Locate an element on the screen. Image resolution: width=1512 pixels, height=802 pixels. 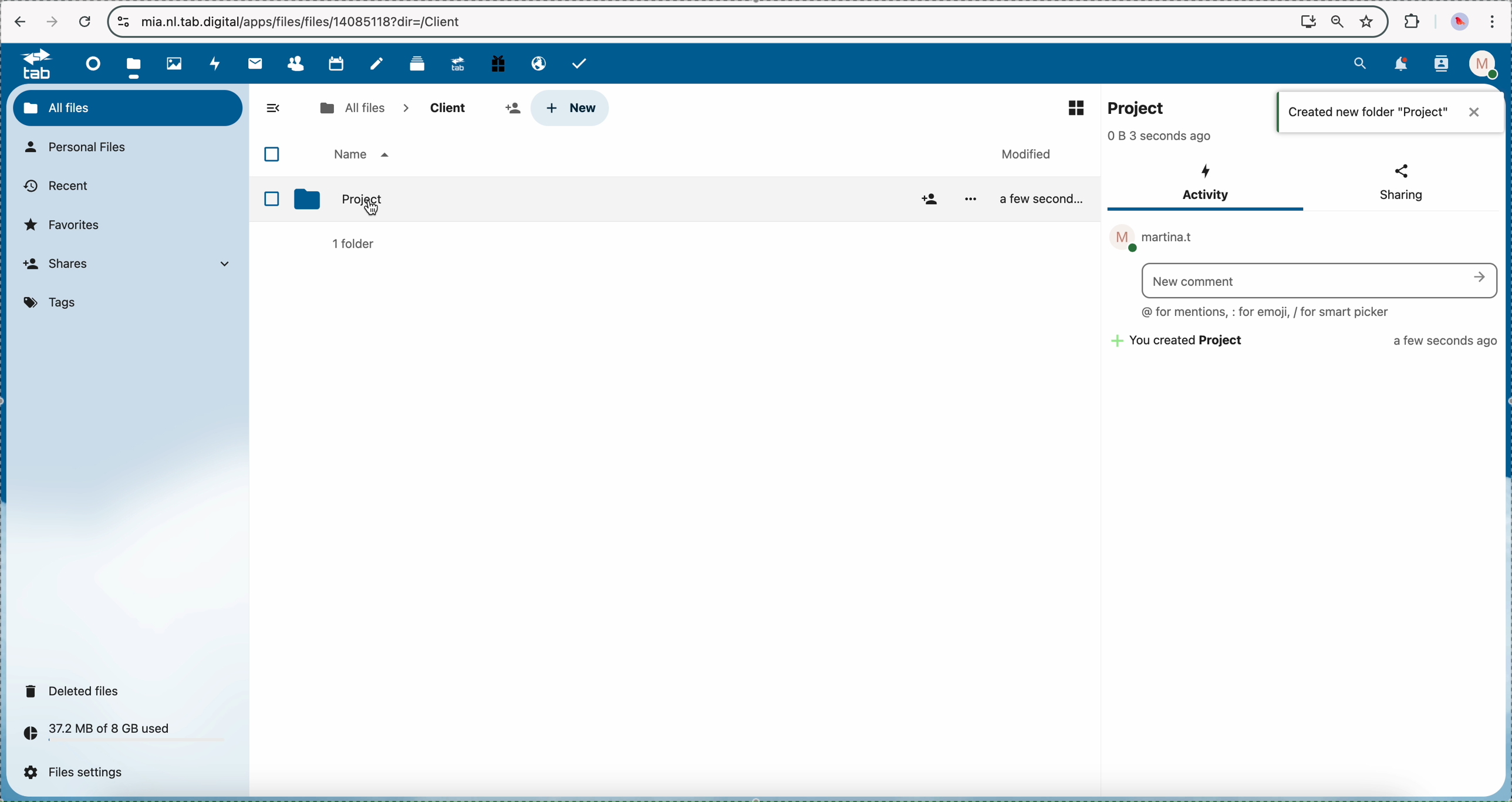
mail is located at coordinates (254, 63).